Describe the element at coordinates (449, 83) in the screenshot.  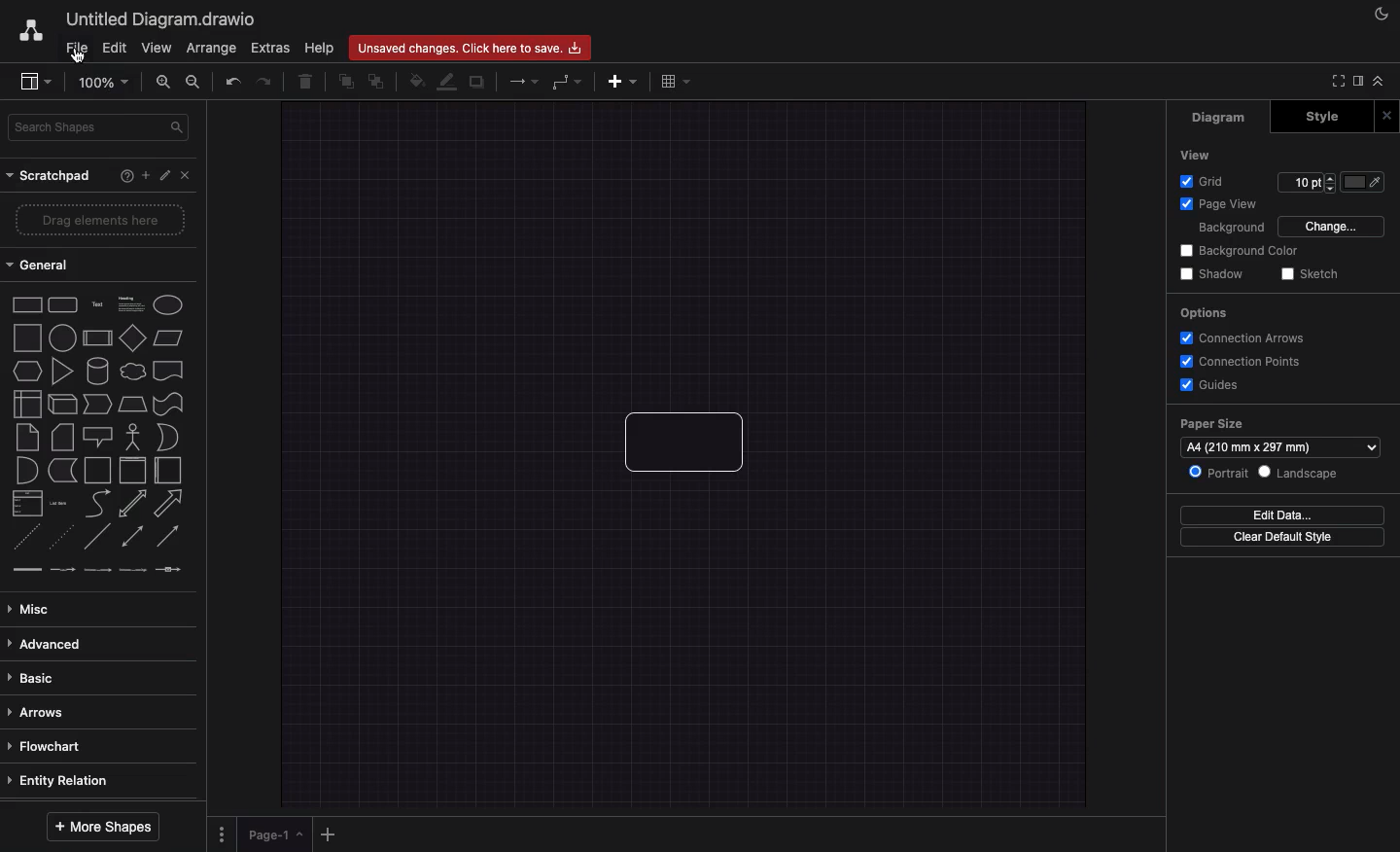
I see `Line color` at that location.